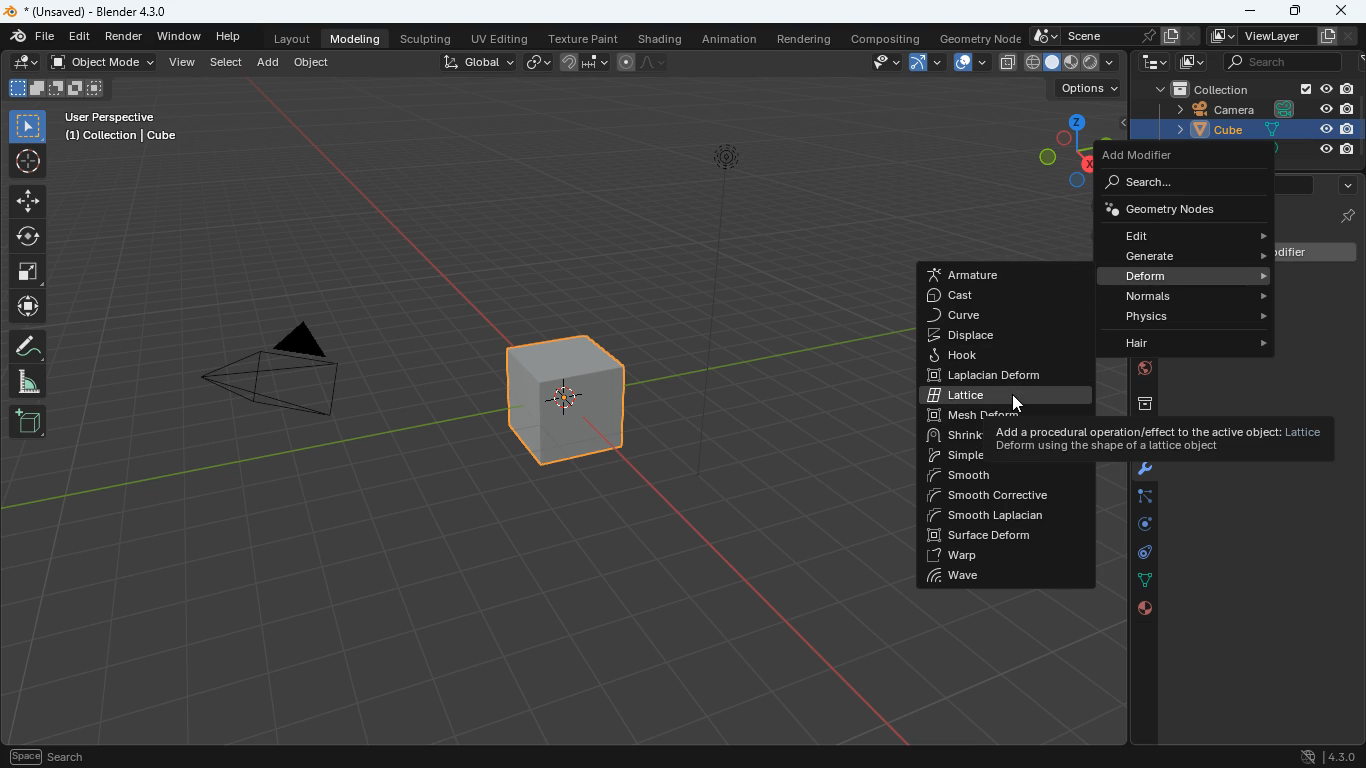  I want to click on tech, so click(1155, 63).